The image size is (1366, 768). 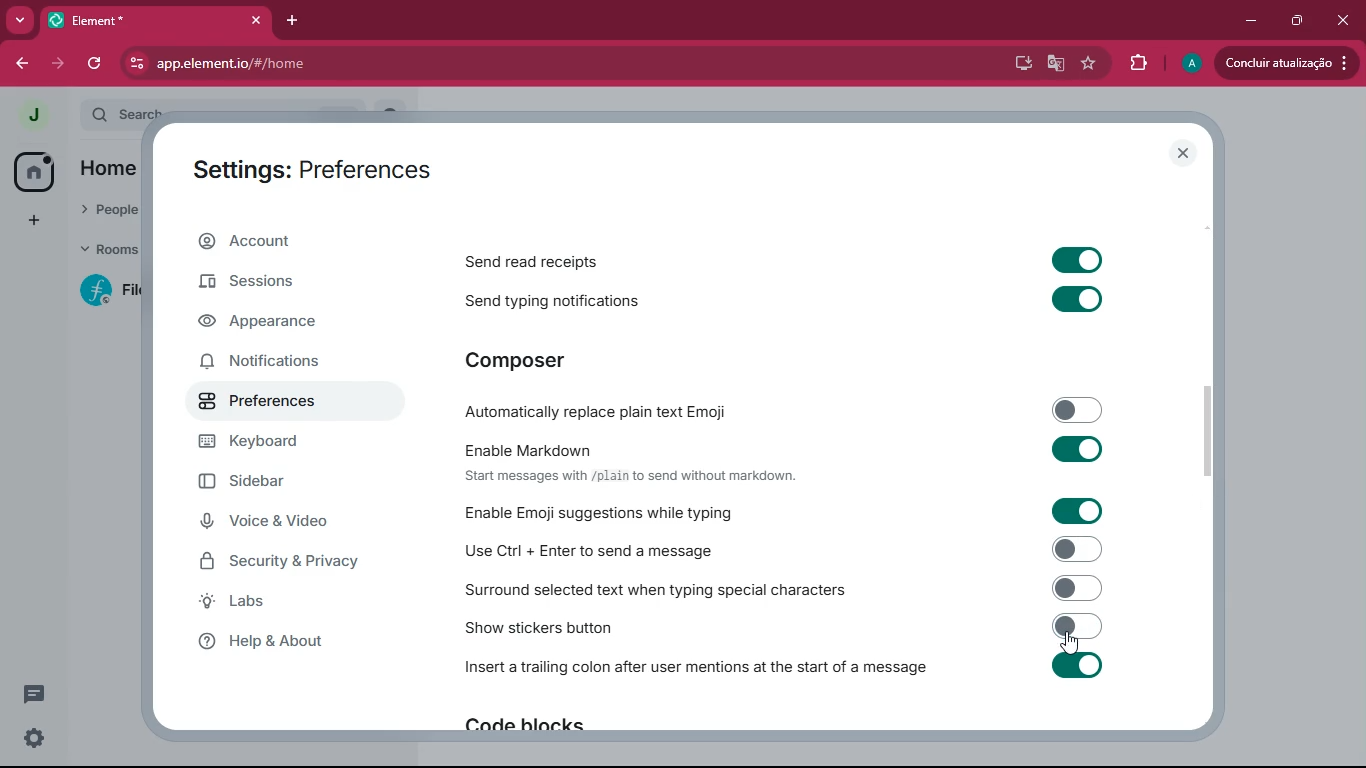 I want to click on profile picture, so click(x=32, y=115).